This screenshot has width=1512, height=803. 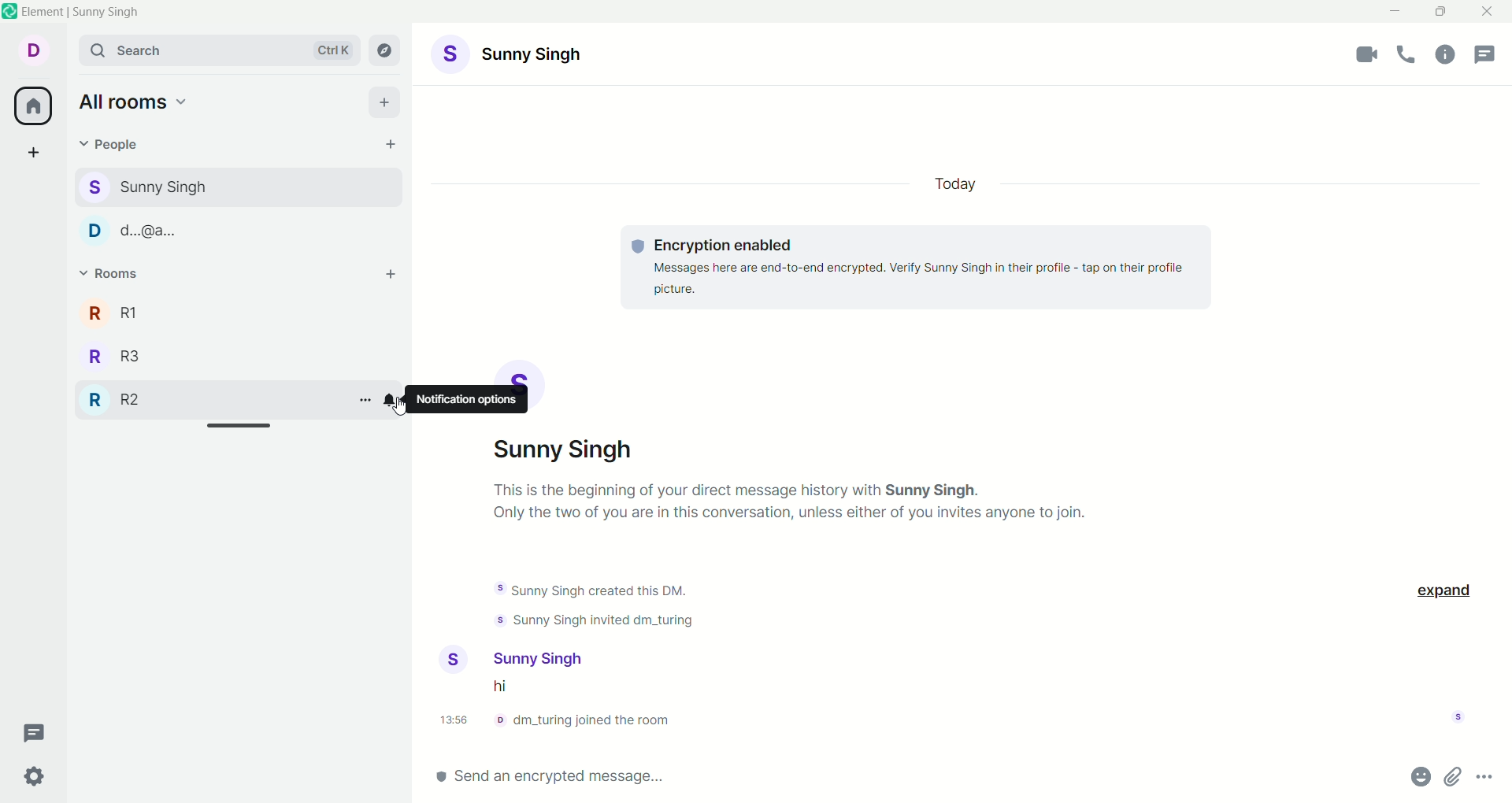 I want to click on explore rooms, so click(x=388, y=50).